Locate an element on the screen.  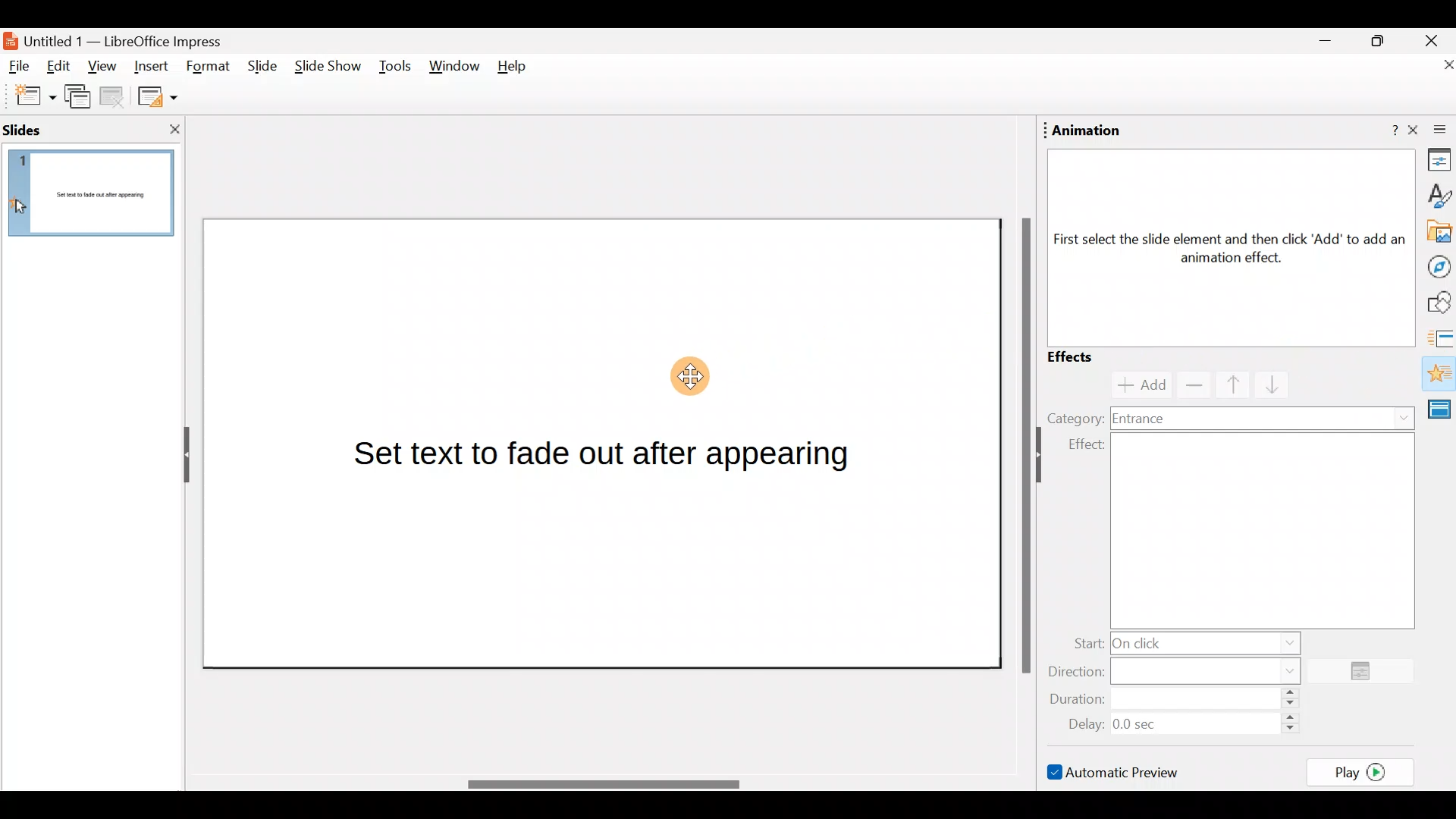
Help is located at coordinates (518, 70).